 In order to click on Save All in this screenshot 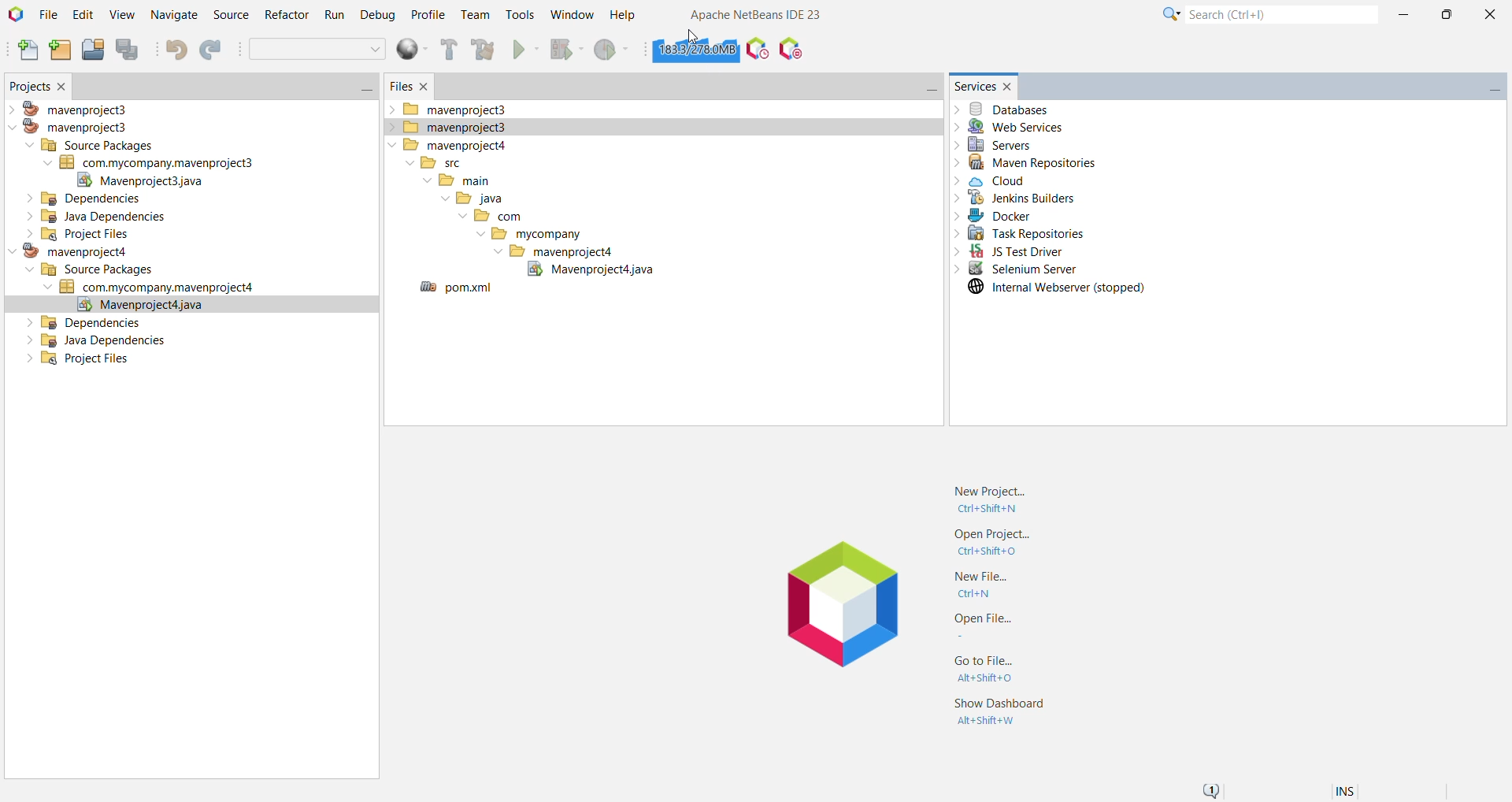, I will do `click(130, 51)`.